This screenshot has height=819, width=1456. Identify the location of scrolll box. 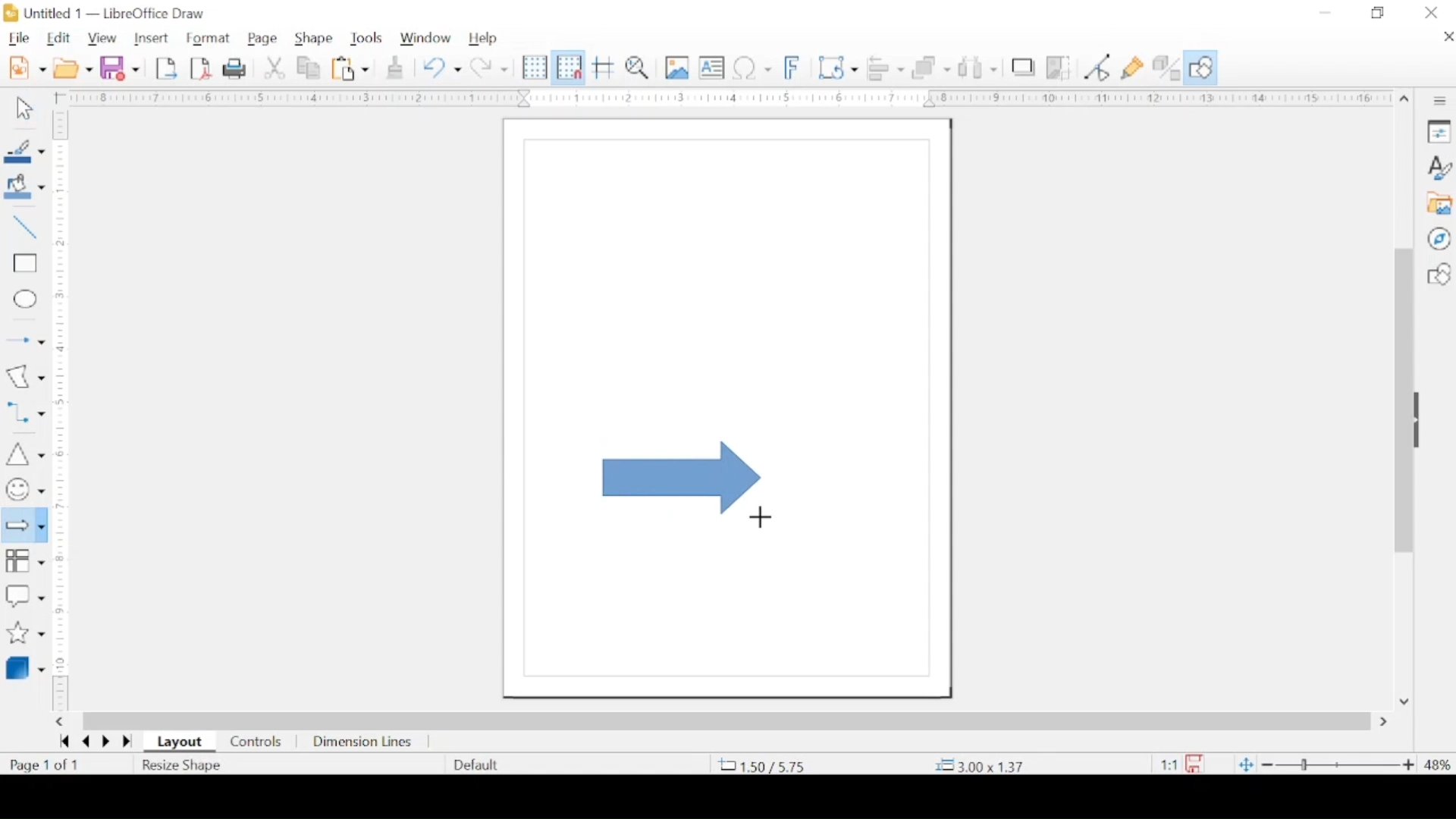
(1401, 399).